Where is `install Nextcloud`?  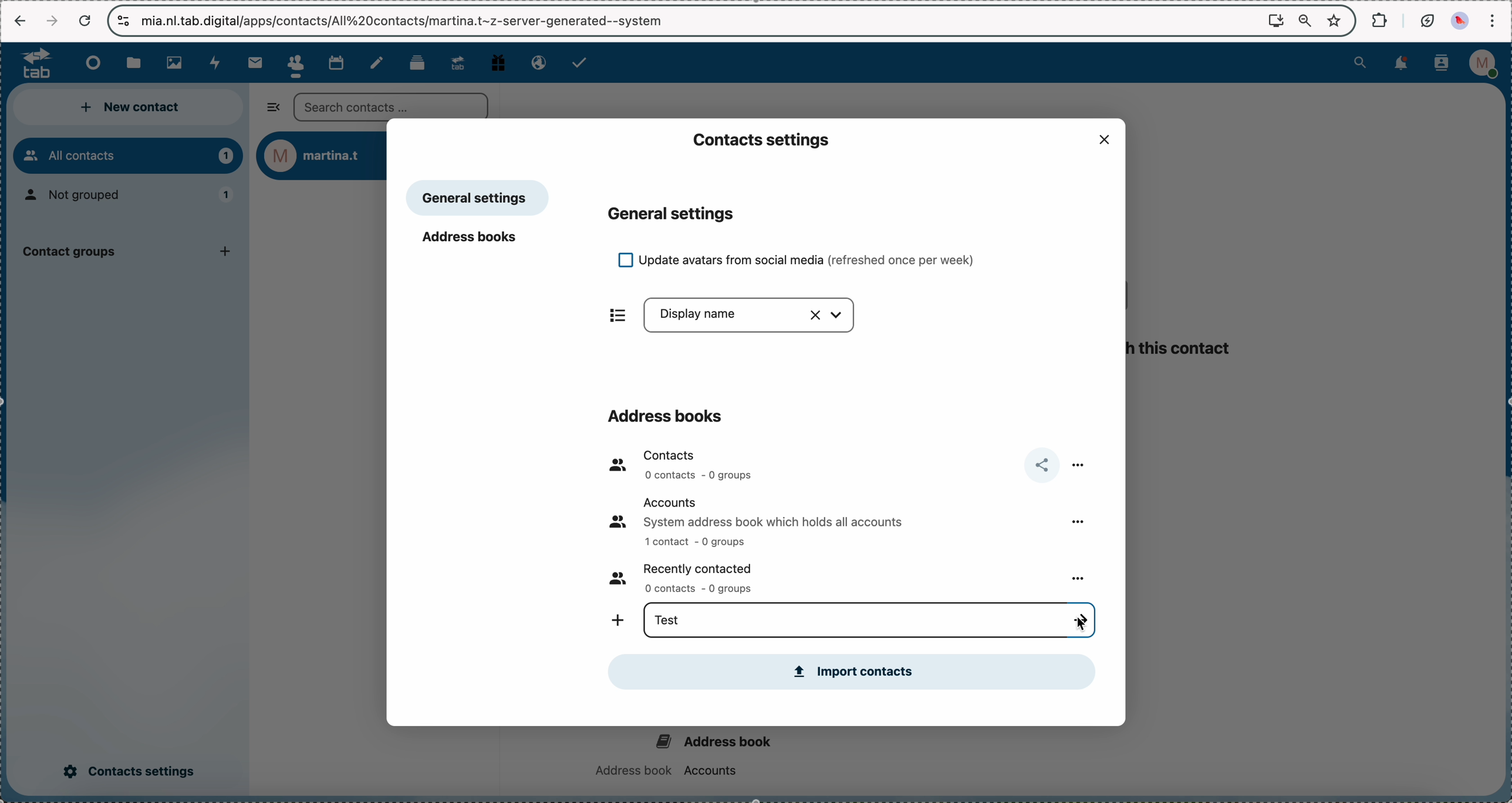
install Nextcloud is located at coordinates (1275, 21).